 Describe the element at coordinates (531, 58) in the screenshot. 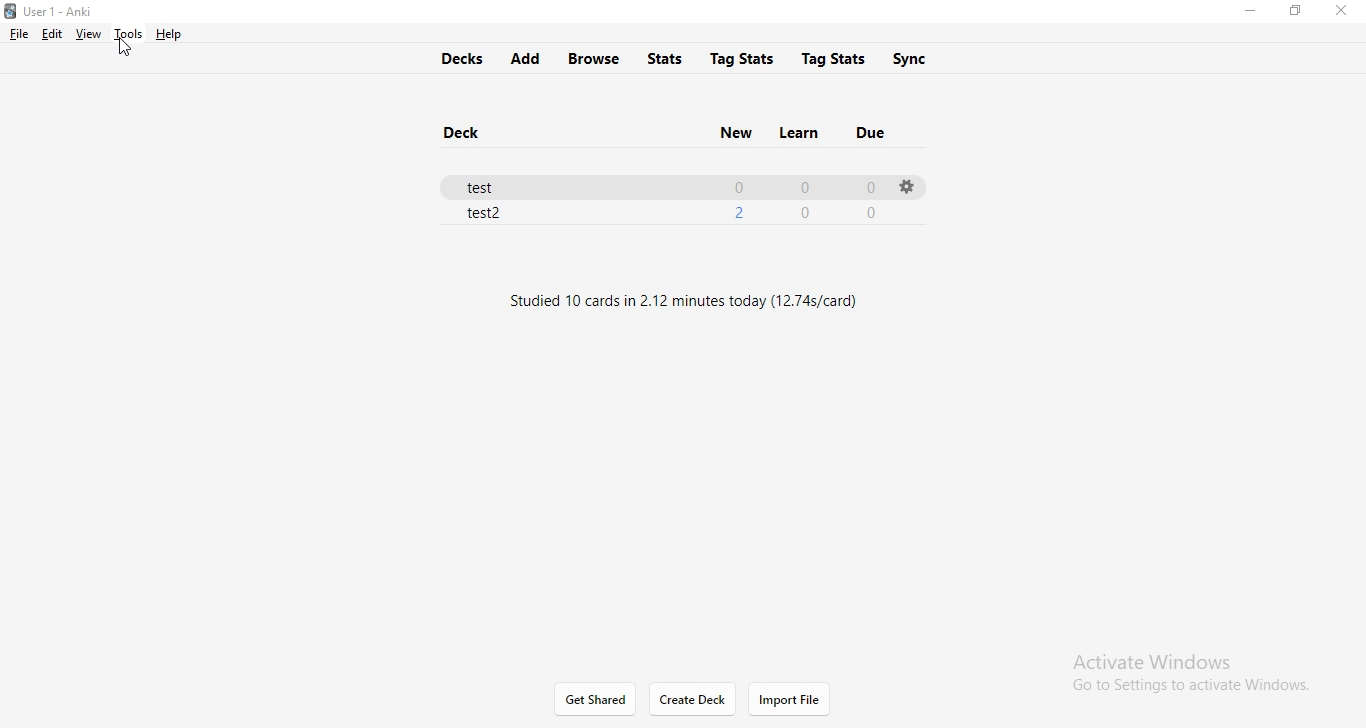

I see `add` at that location.